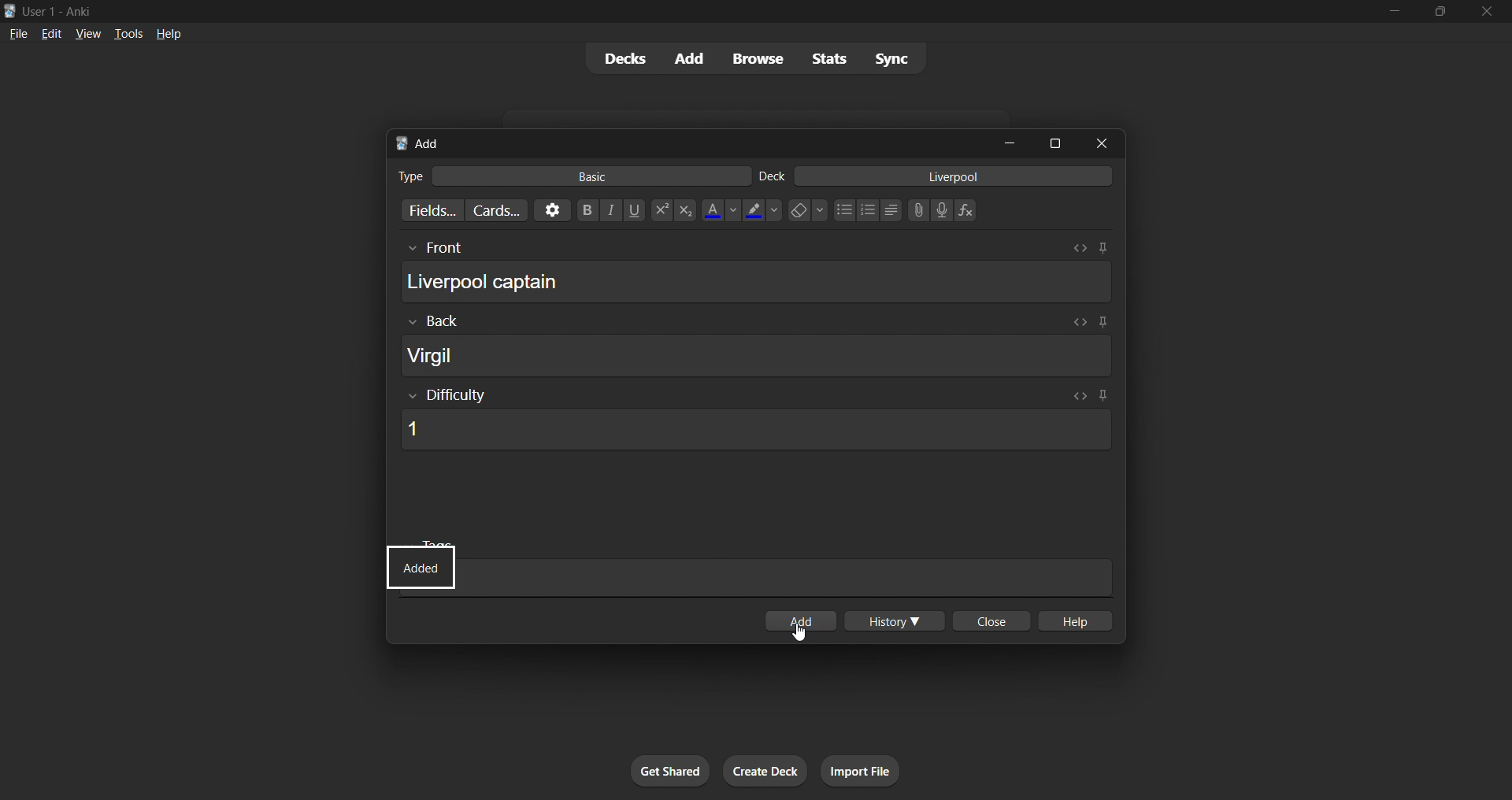  I want to click on Subscript, so click(686, 210).